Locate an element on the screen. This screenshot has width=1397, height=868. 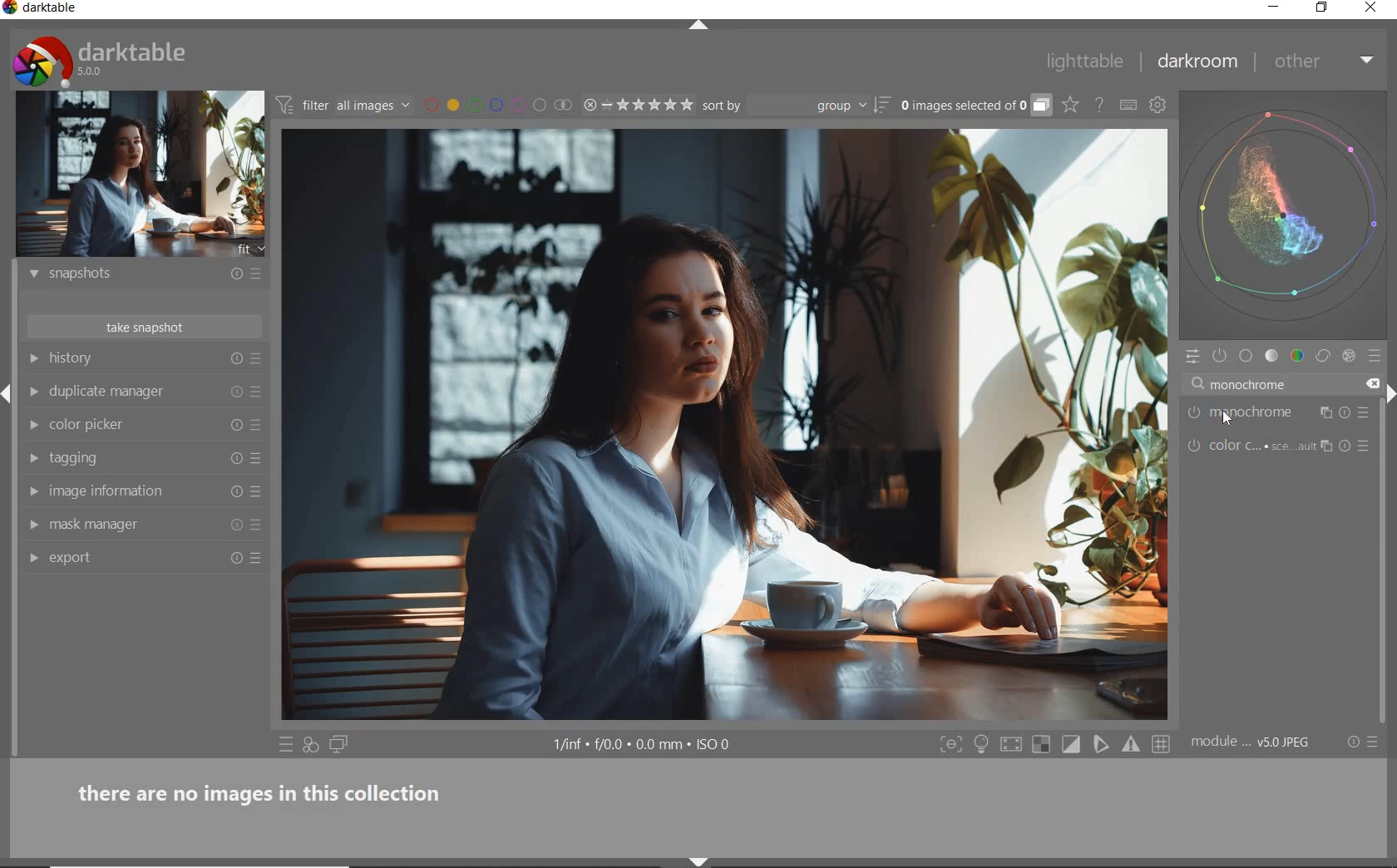
 is located at coordinates (1345, 448).